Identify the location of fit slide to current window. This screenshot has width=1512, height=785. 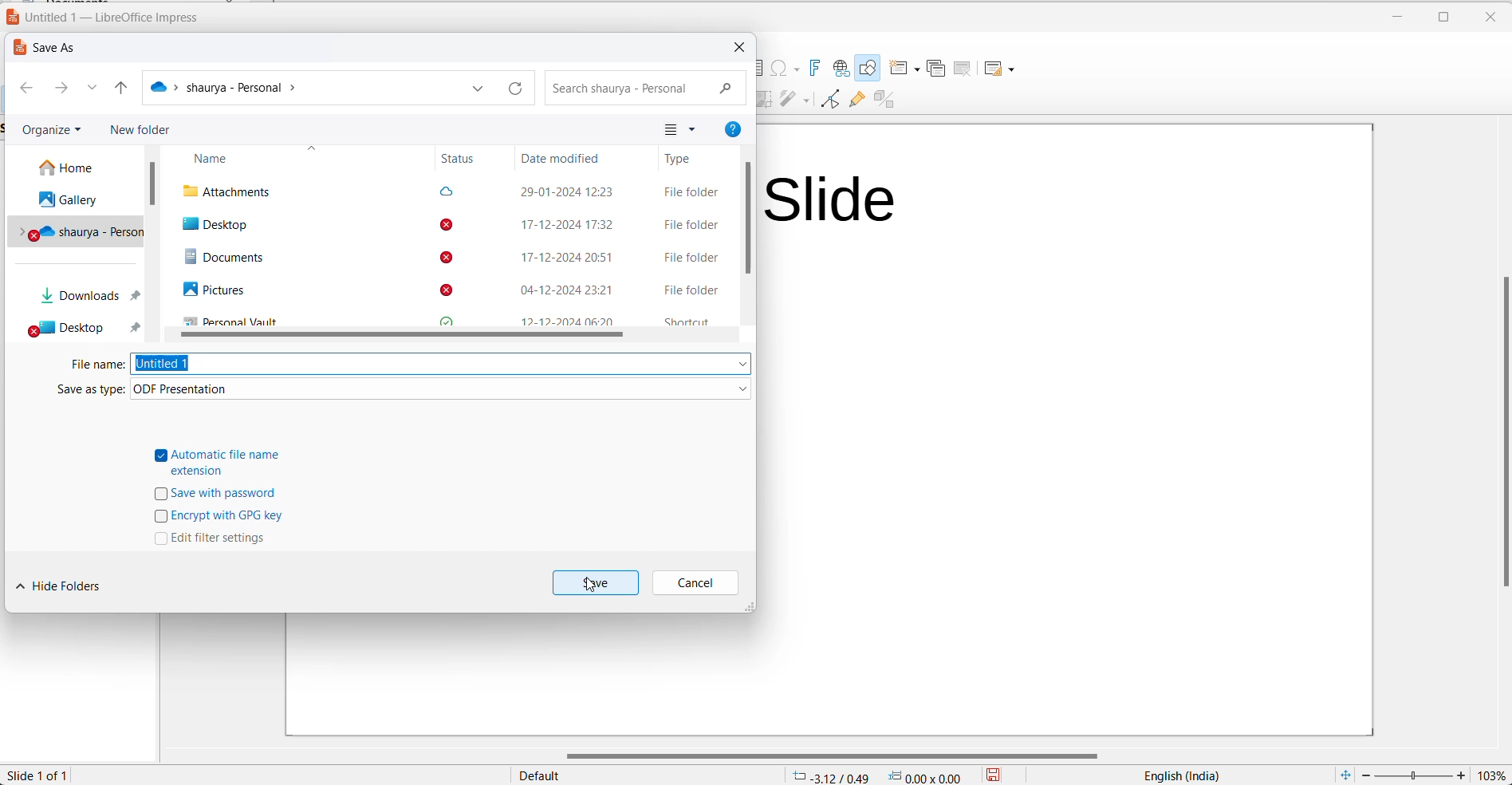
(1342, 775).